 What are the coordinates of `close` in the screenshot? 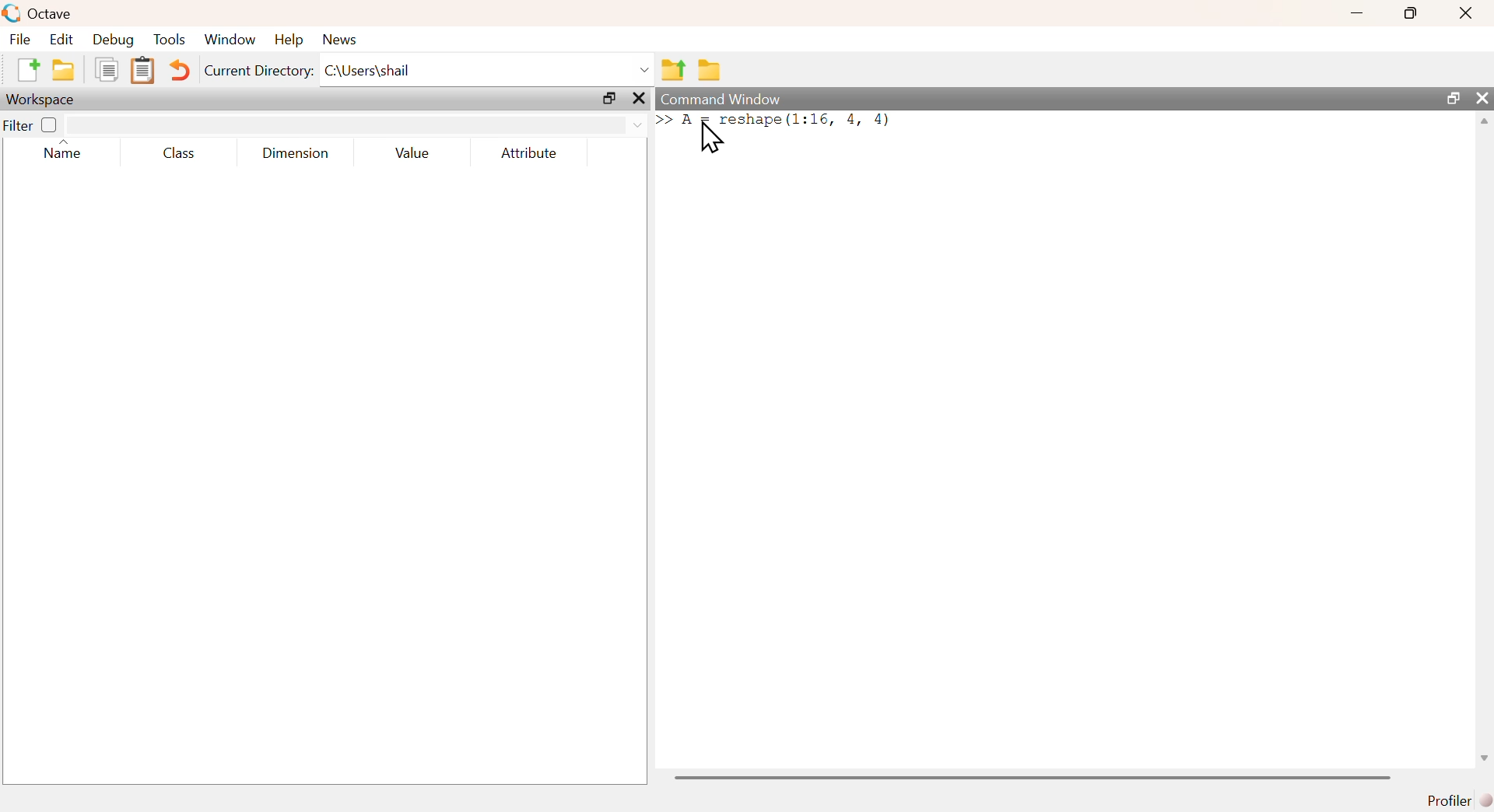 It's located at (1484, 99).